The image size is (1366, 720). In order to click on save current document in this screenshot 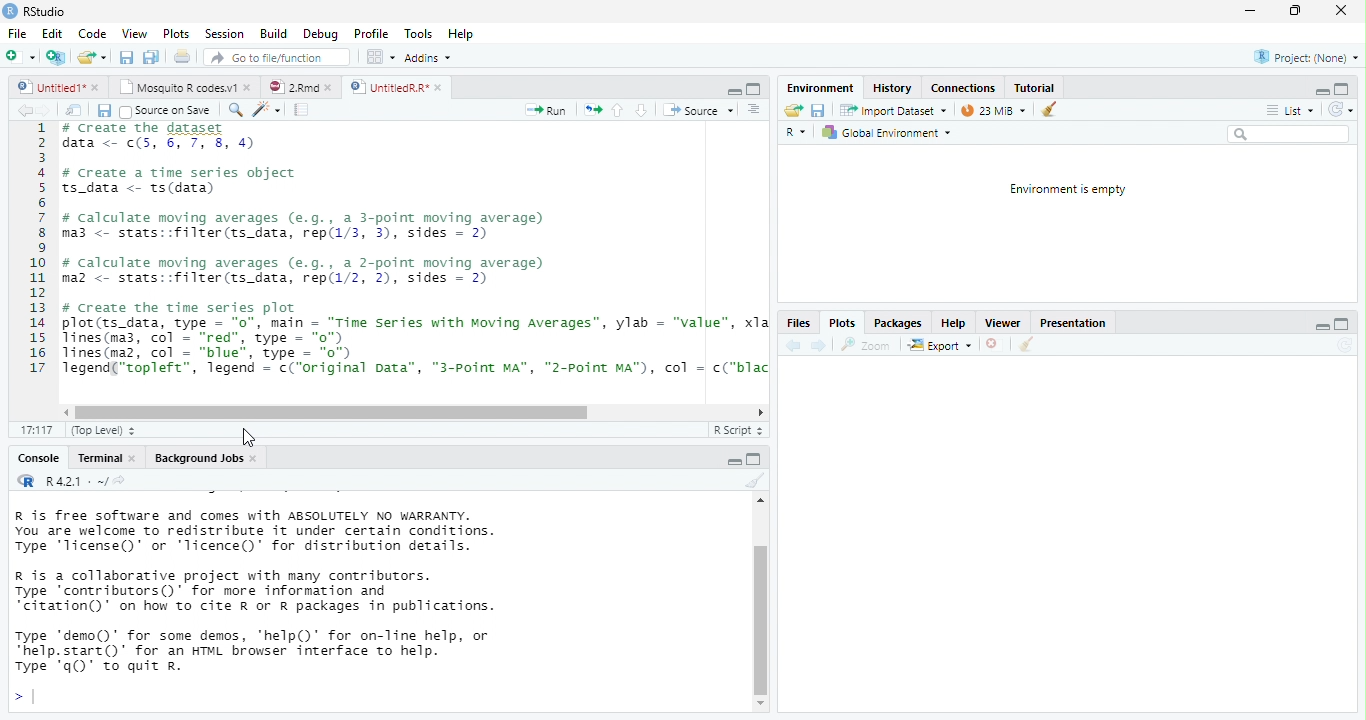, I will do `click(819, 111)`.